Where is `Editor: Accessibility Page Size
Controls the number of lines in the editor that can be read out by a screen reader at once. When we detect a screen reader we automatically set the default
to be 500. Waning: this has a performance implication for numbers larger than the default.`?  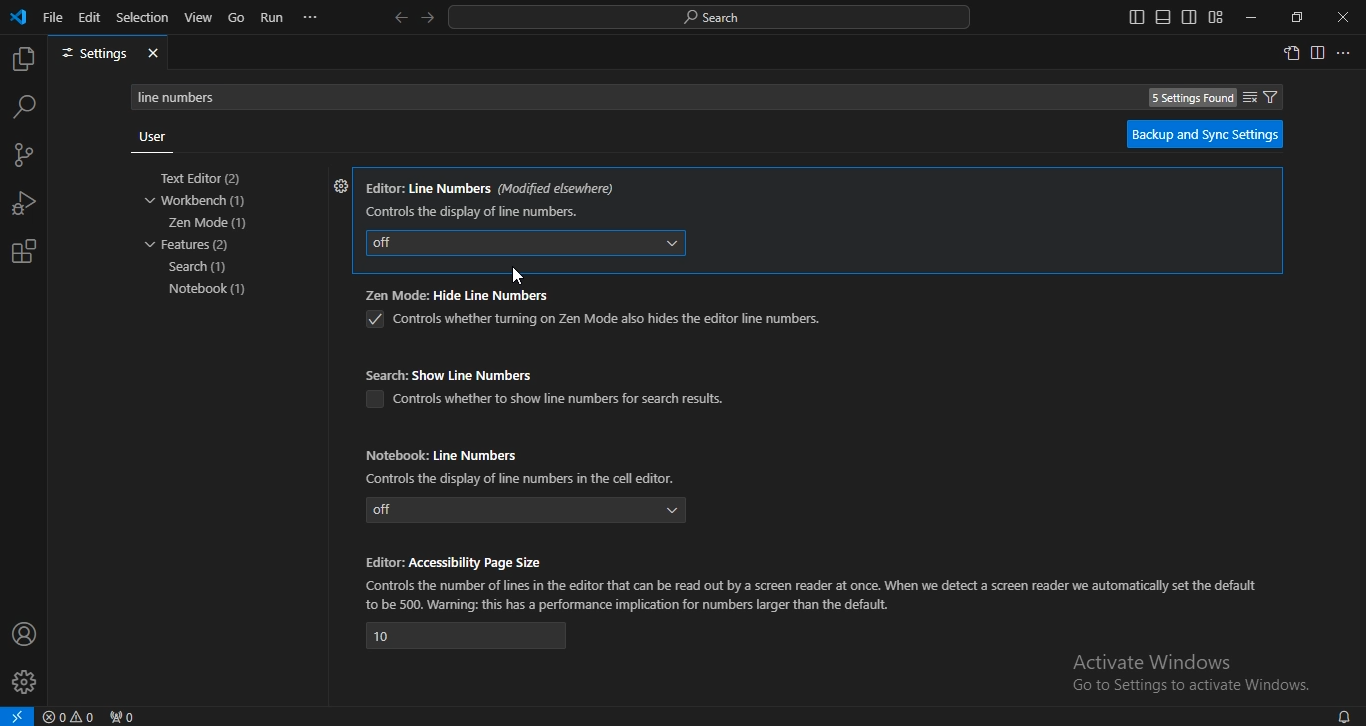
Editor: Accessibility Page Size
Controls the number of lines in the editor that can be read out by a screen reader at once. When we detect a screen reader we automatically set the default
to be 500. Waning: this has a performance implication for numbers larger than the default. is located at coordinates (814, 581).